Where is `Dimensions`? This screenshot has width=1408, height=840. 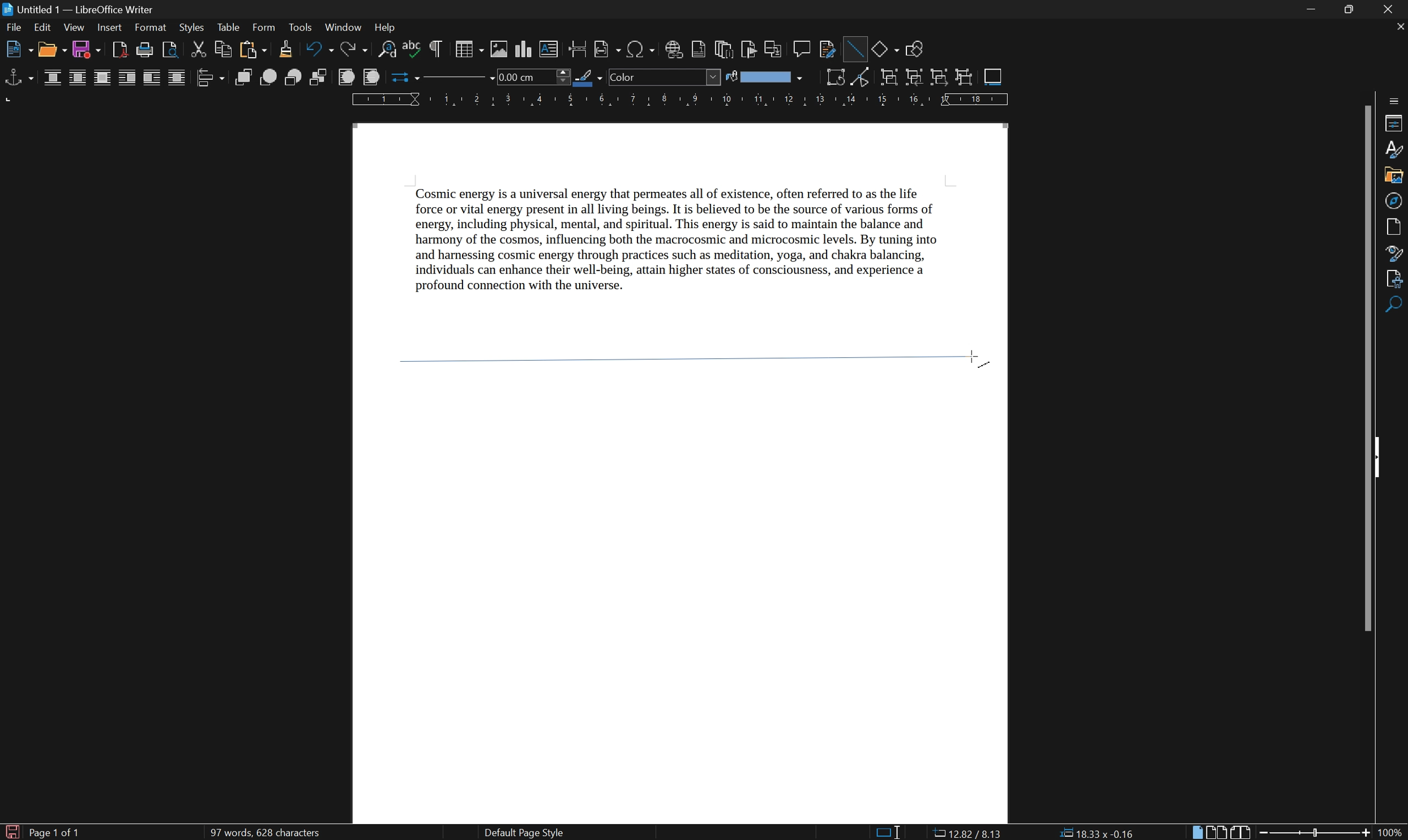
Dimensions is located at coordinates (1097, 832).